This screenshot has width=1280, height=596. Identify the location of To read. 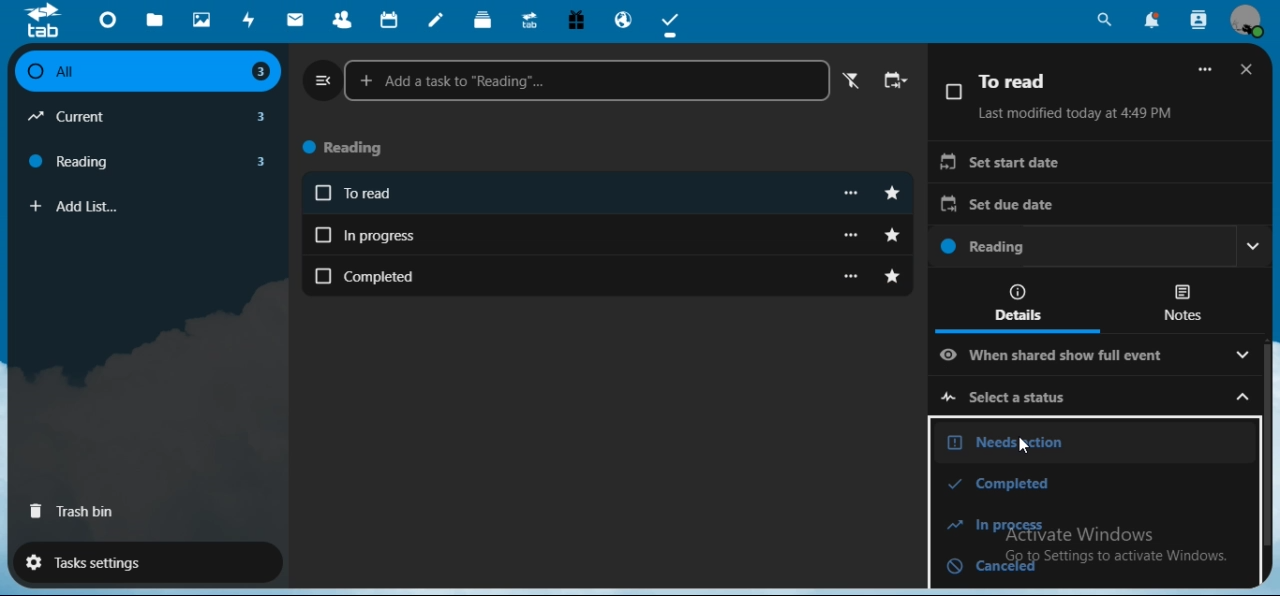
(585, 195).